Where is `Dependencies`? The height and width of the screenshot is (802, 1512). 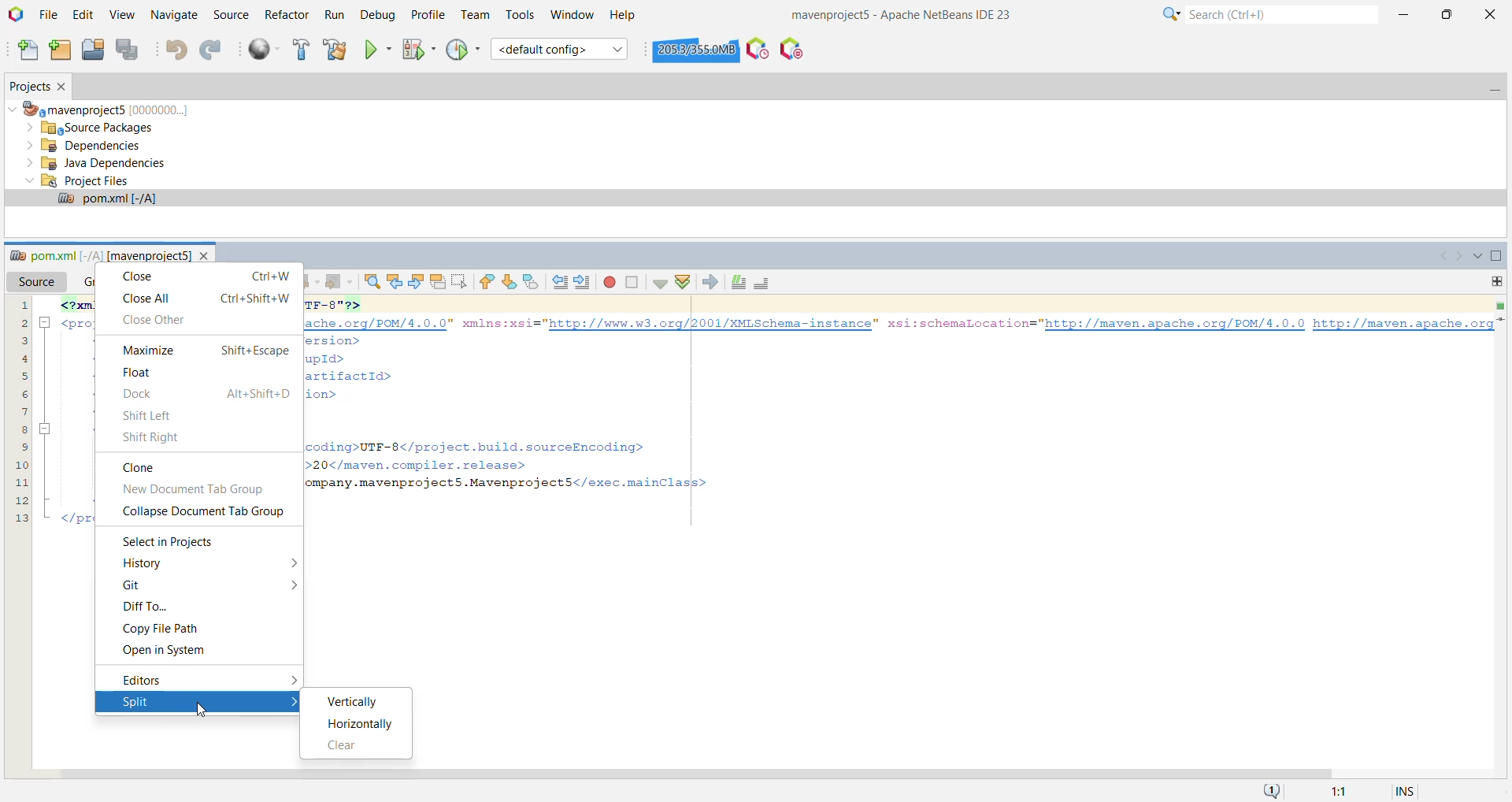 Dependencies is located at coordinates (88, 146).